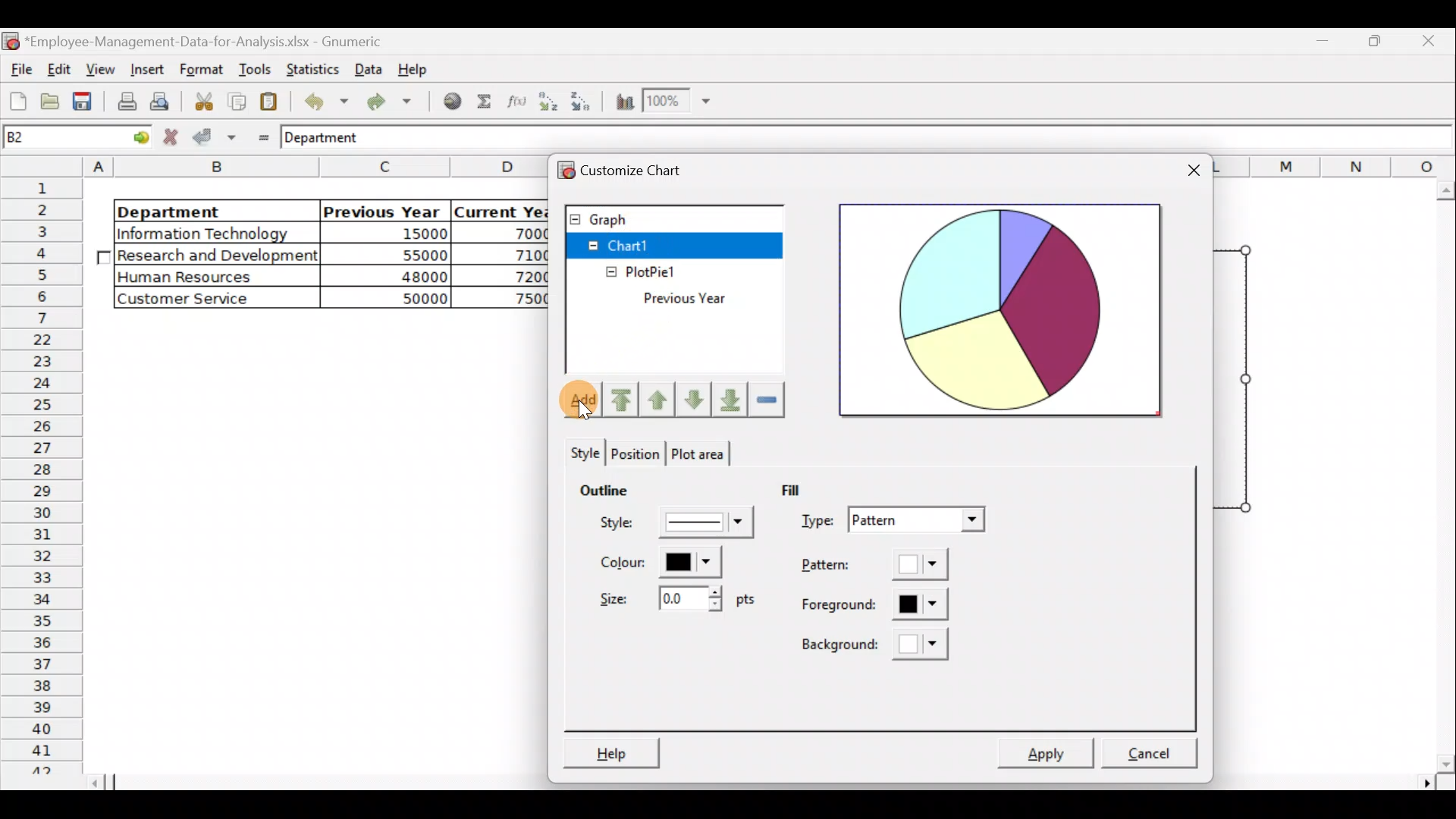 The height and width of the screenshot is (819, 1456). Describe the element at coordinates (638, 244) in the screenshot. I see `Chart1` at that location.